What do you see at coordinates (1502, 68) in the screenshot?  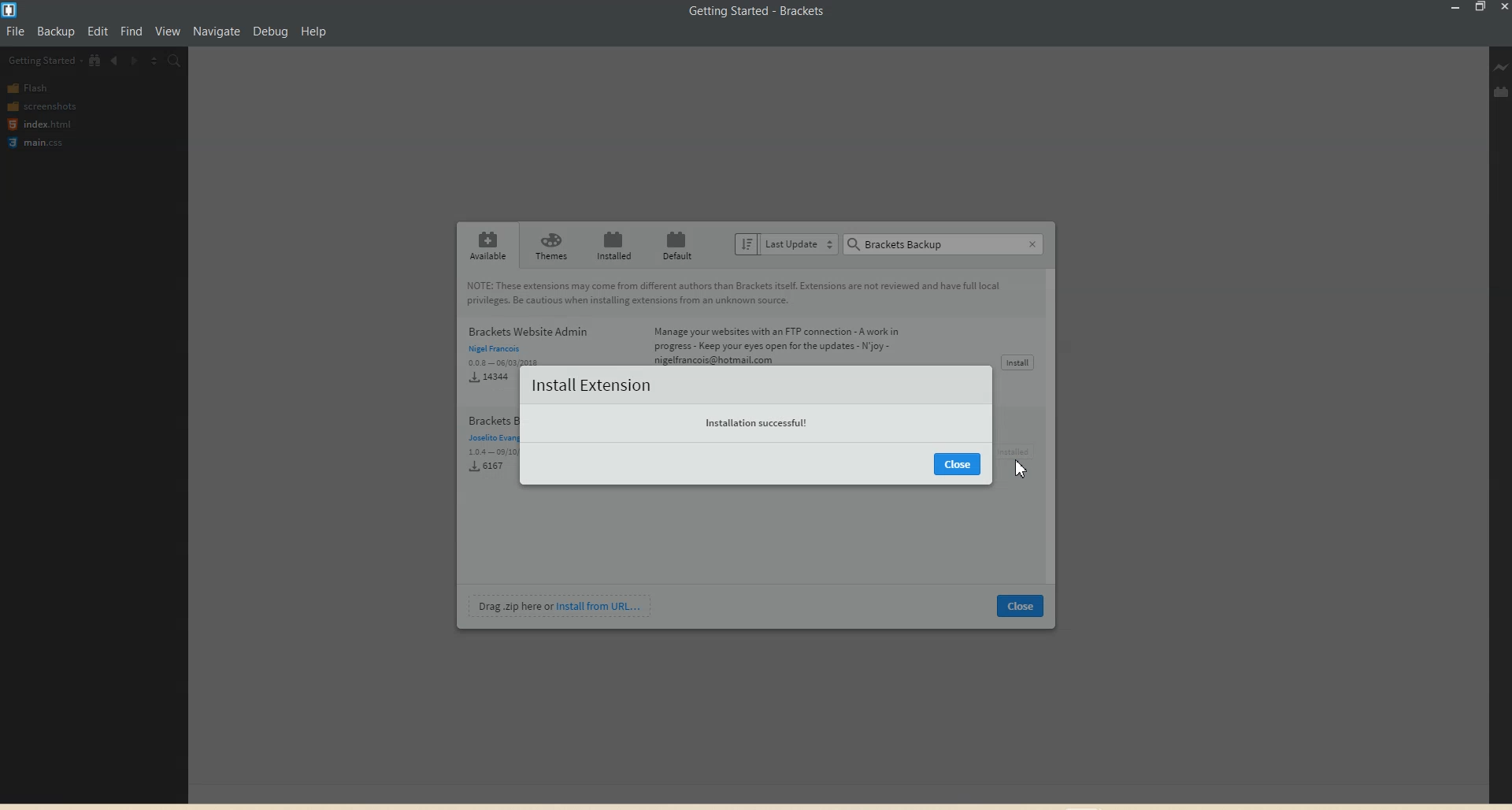 I see `Live Preview` at bounding box center [1502, 68].